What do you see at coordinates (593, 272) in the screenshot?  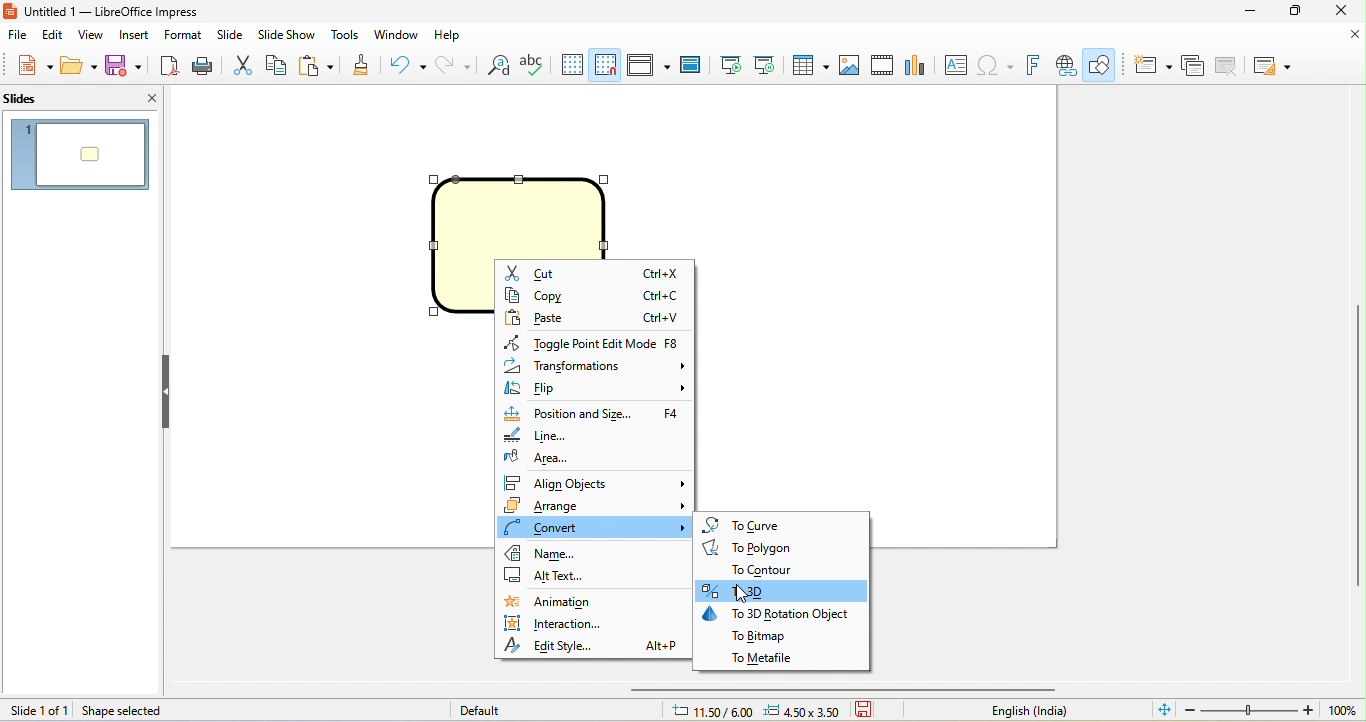 I see `cut` at bounding box center [593, 272].